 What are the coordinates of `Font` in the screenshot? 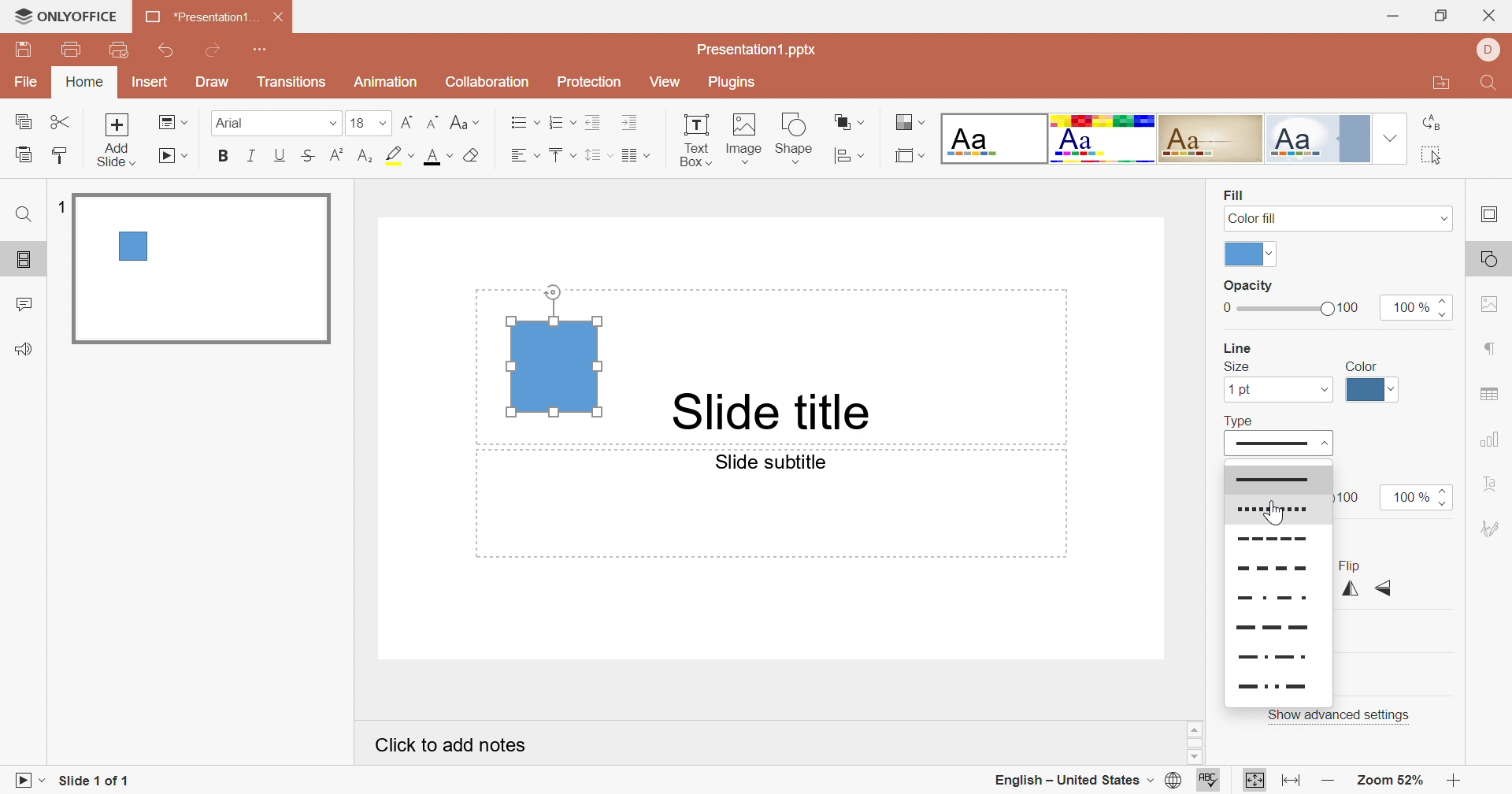 It's located at (276, 121).